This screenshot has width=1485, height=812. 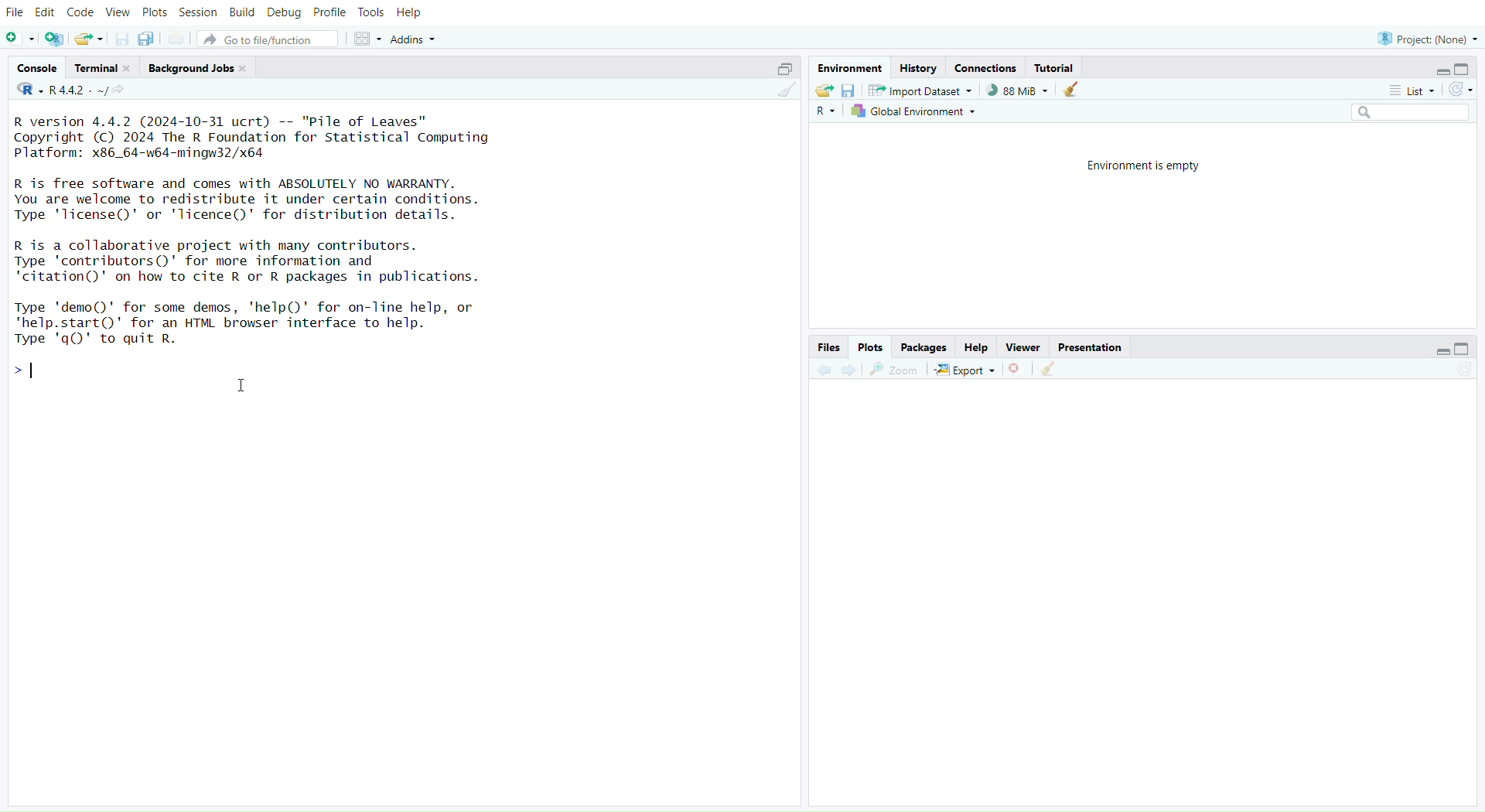 I want to click on terminal, so click(x=103, y=68).